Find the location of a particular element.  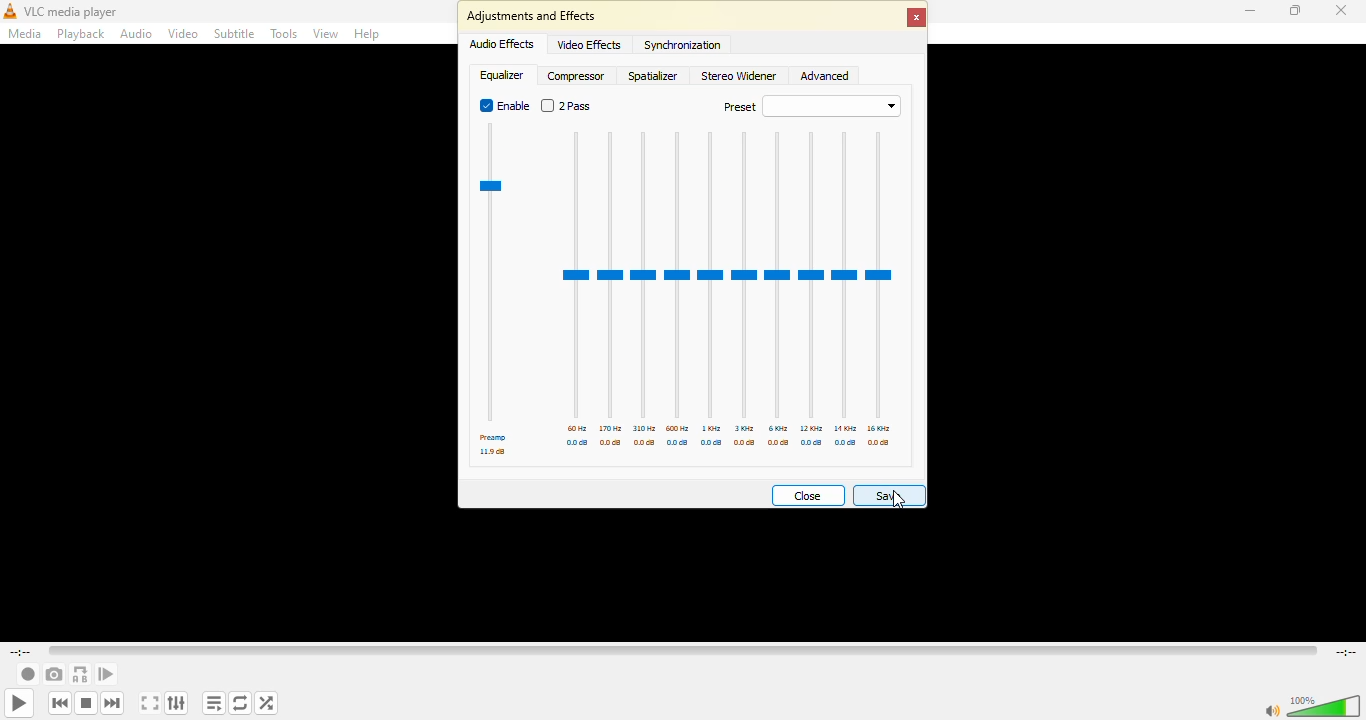

show extended settings is located at coordinates (176, 703).